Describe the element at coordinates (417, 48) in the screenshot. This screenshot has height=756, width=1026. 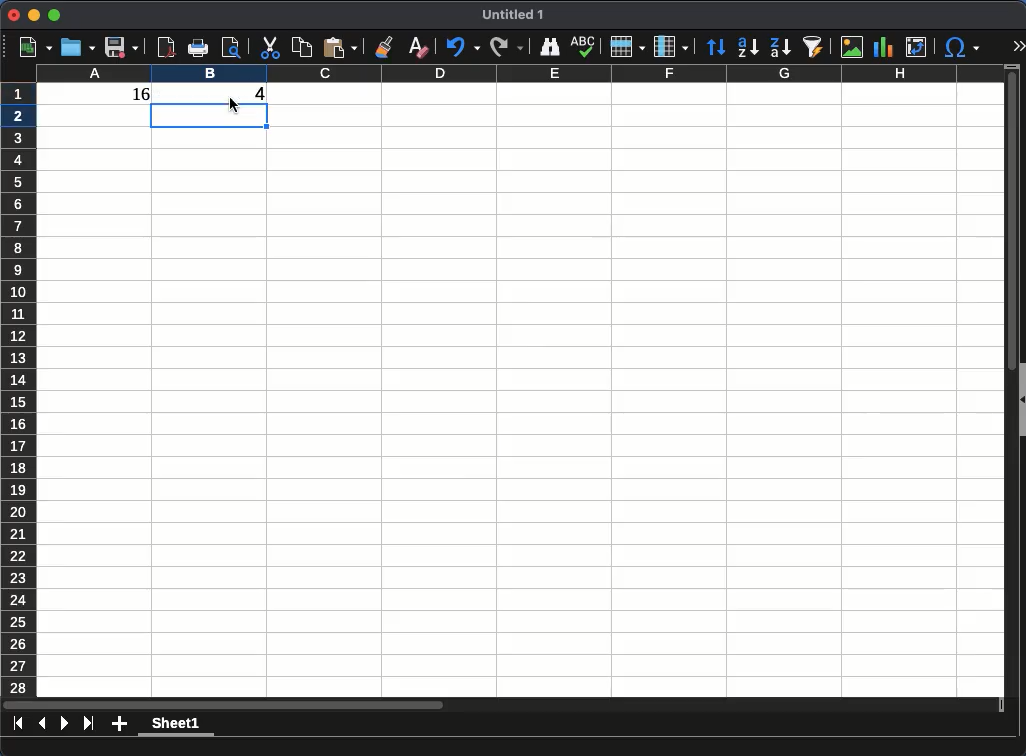
I see `clear formatting` at that location.